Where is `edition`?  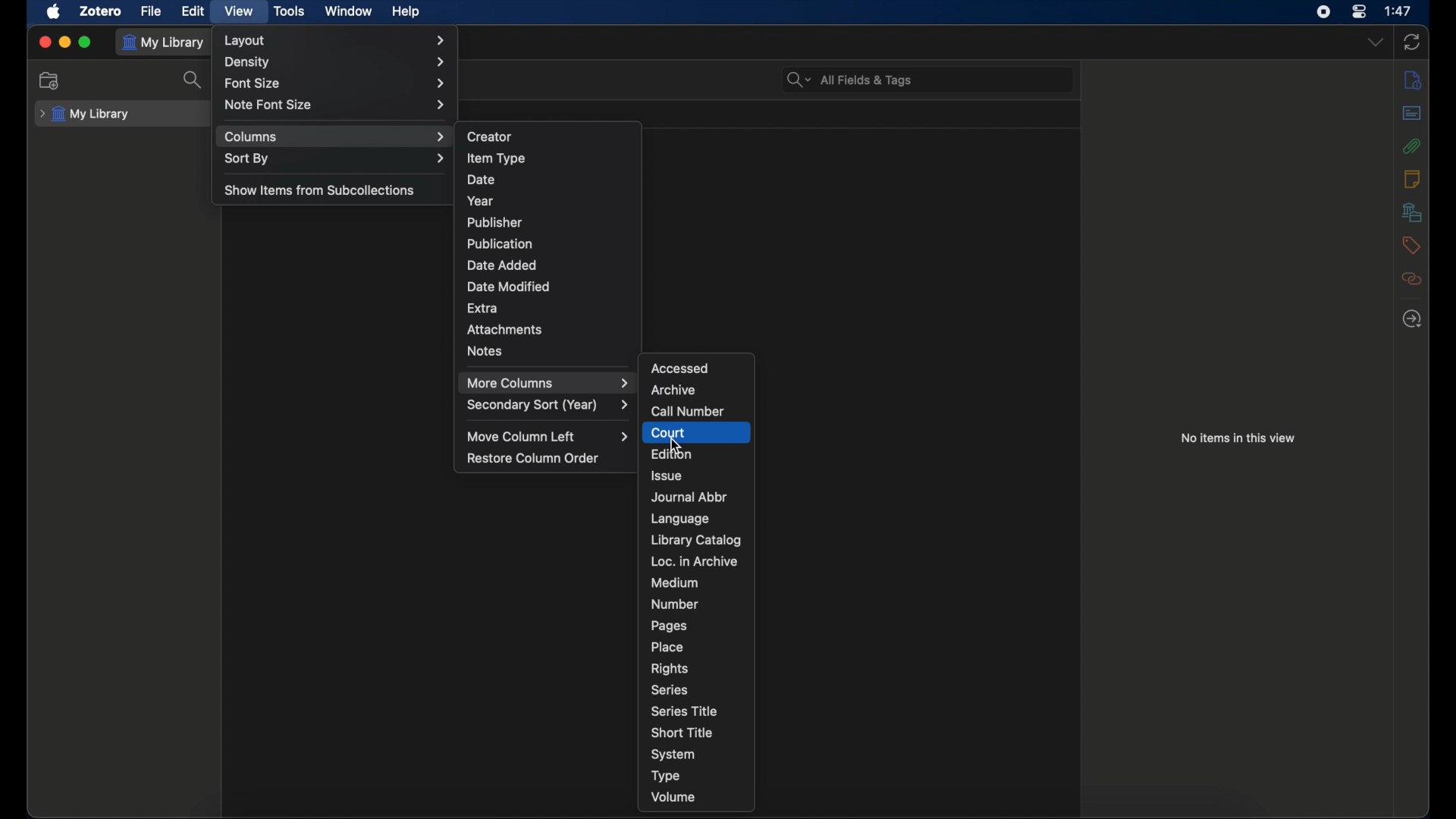
edition is located at coordinates (673, 454).